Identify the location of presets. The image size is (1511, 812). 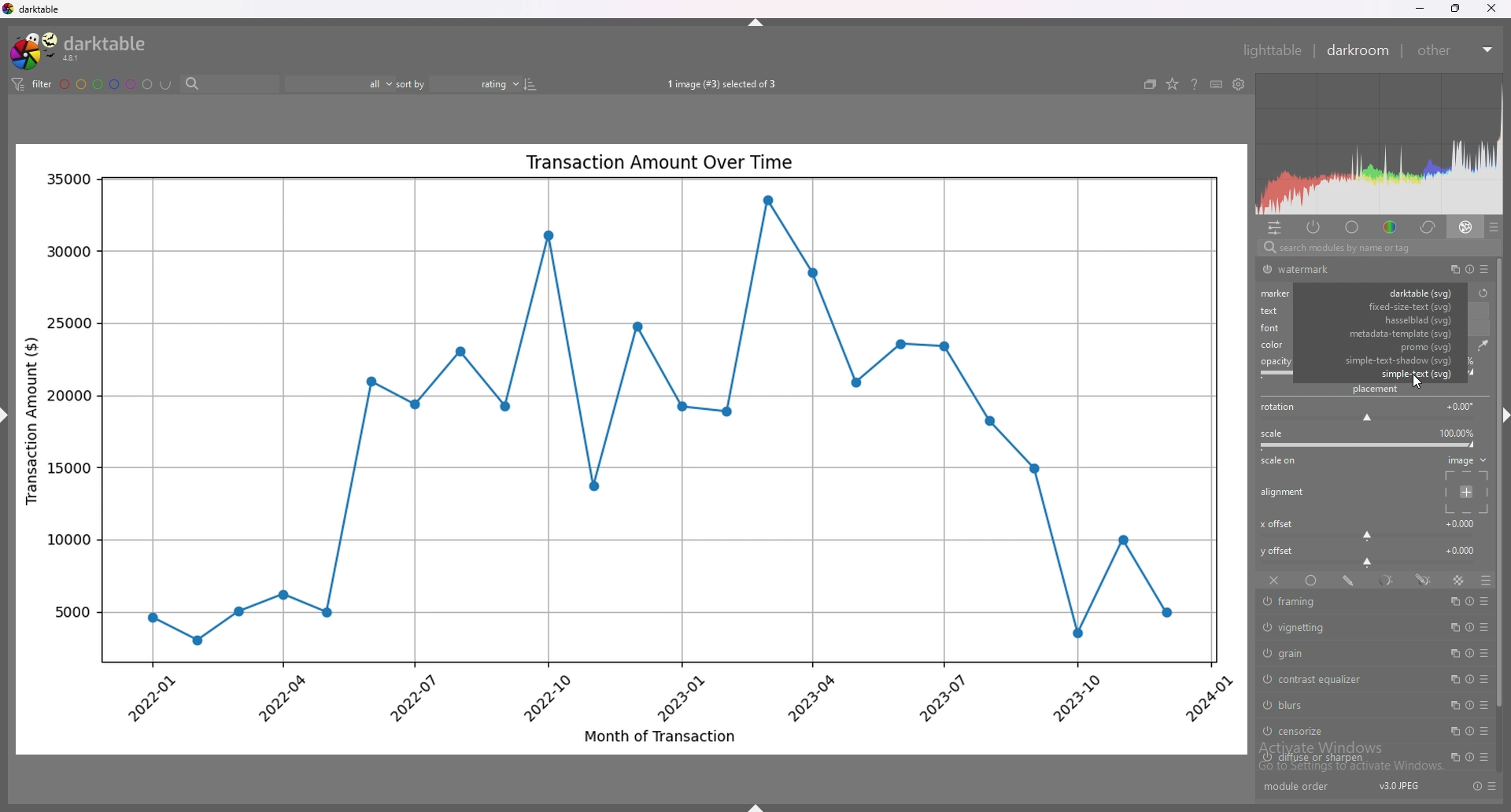
(1485, 680).